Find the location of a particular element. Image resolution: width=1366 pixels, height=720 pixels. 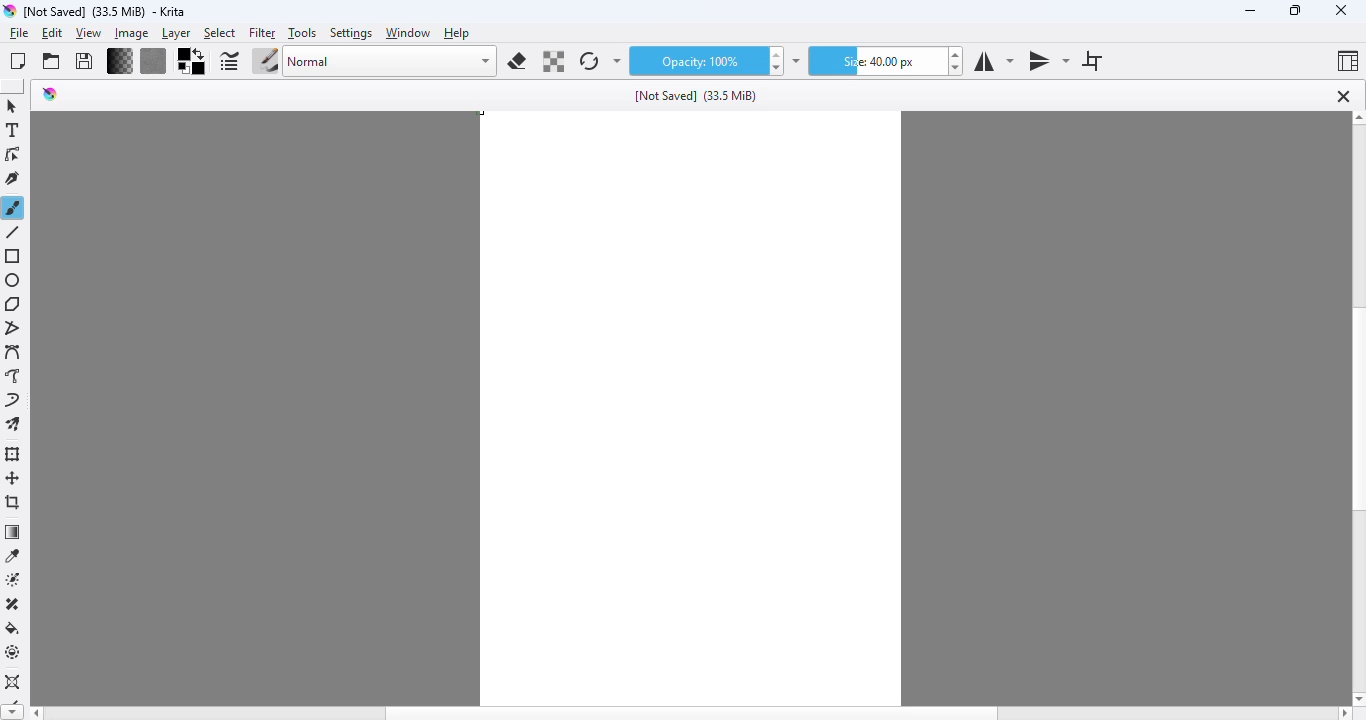

rectangle tool is located at coordinates (13, 257).